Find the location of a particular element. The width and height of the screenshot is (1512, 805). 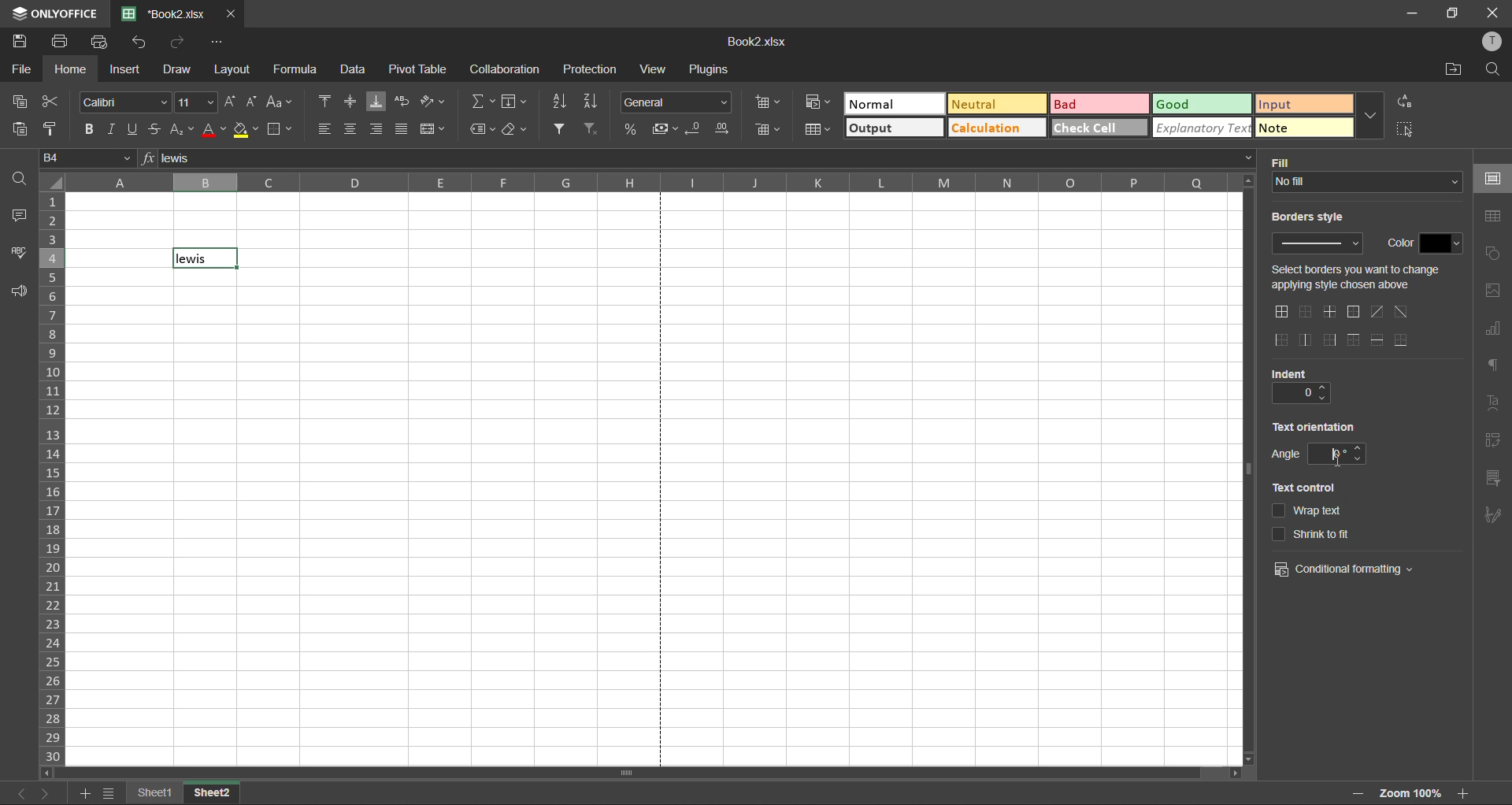

charts is located at coordinates (1492, 332).